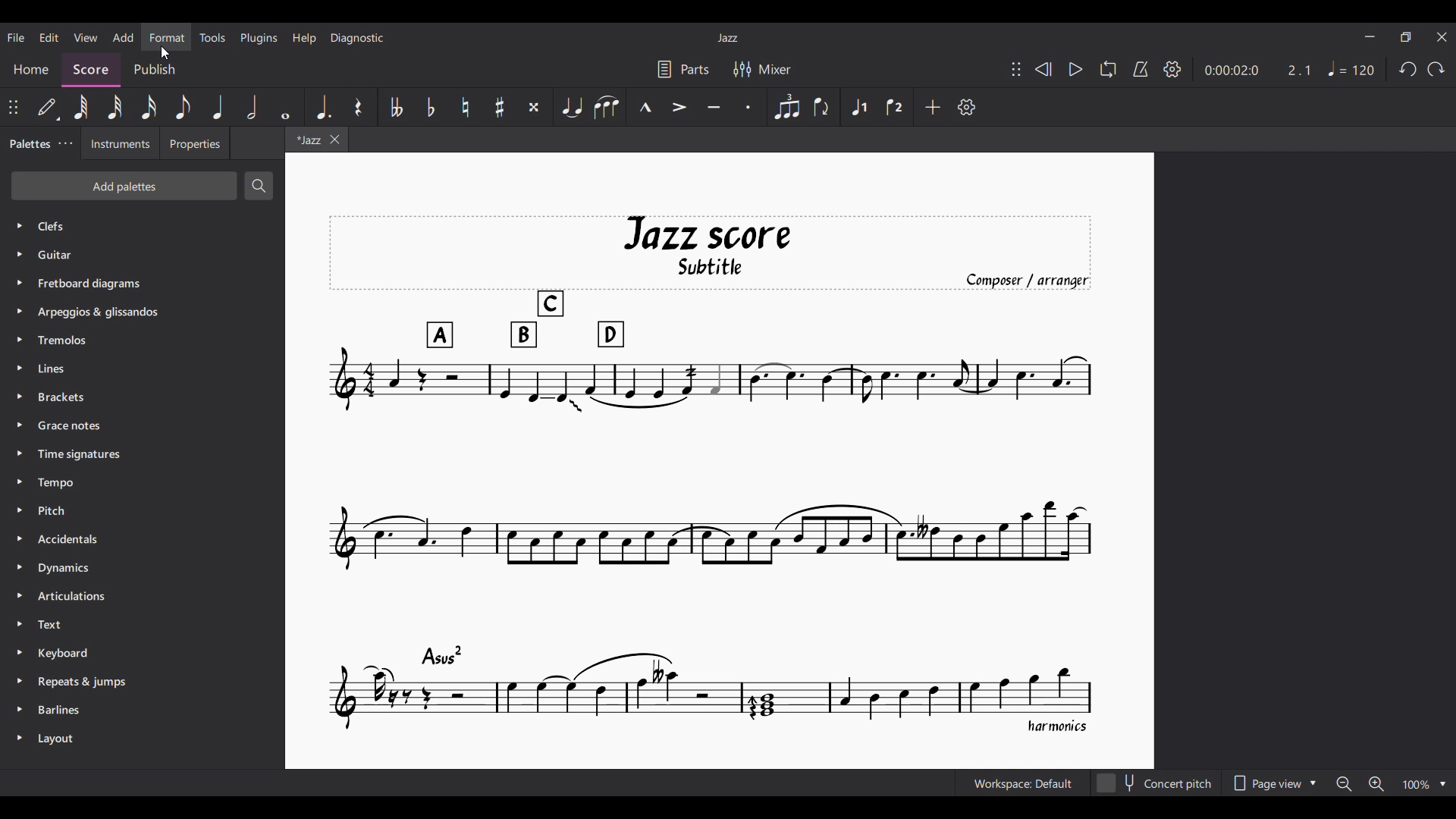 This screenshot has width=1456, height=819. I want to click on Flip direction, so click(824, 107).